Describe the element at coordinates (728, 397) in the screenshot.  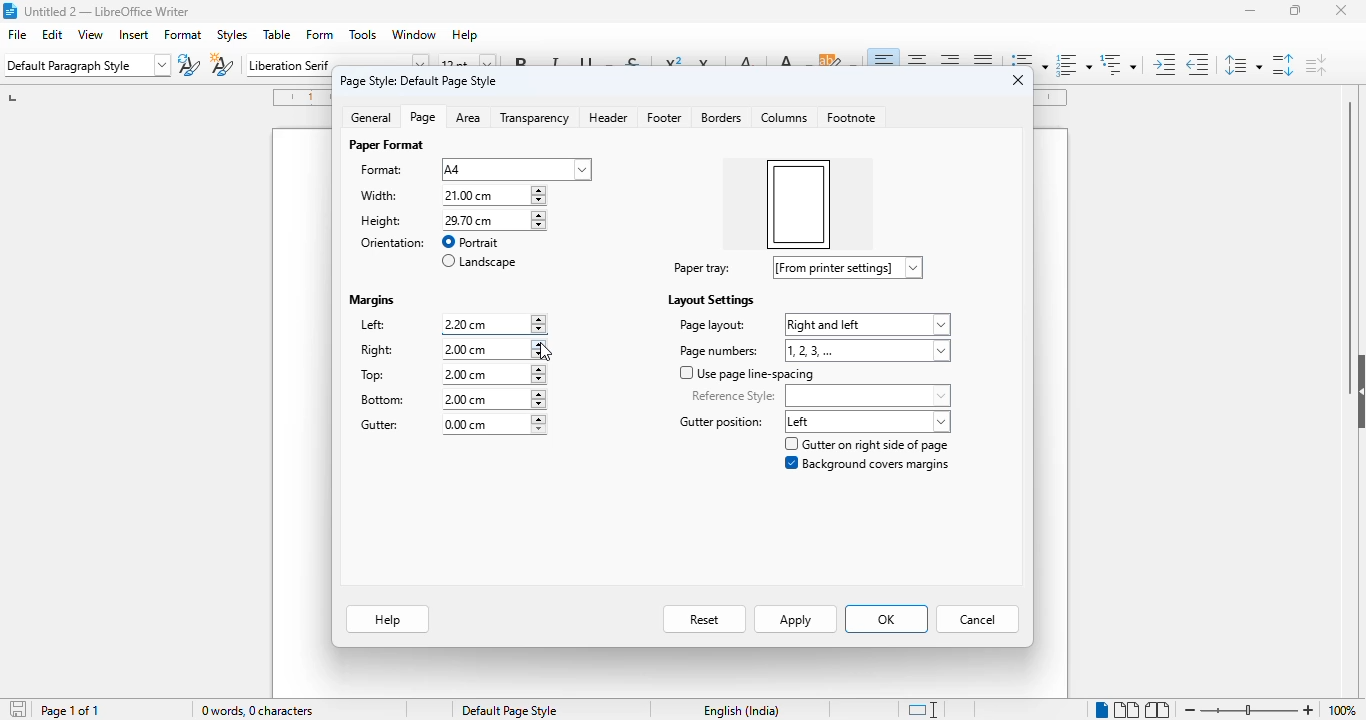
I see `reference style:` at that location.